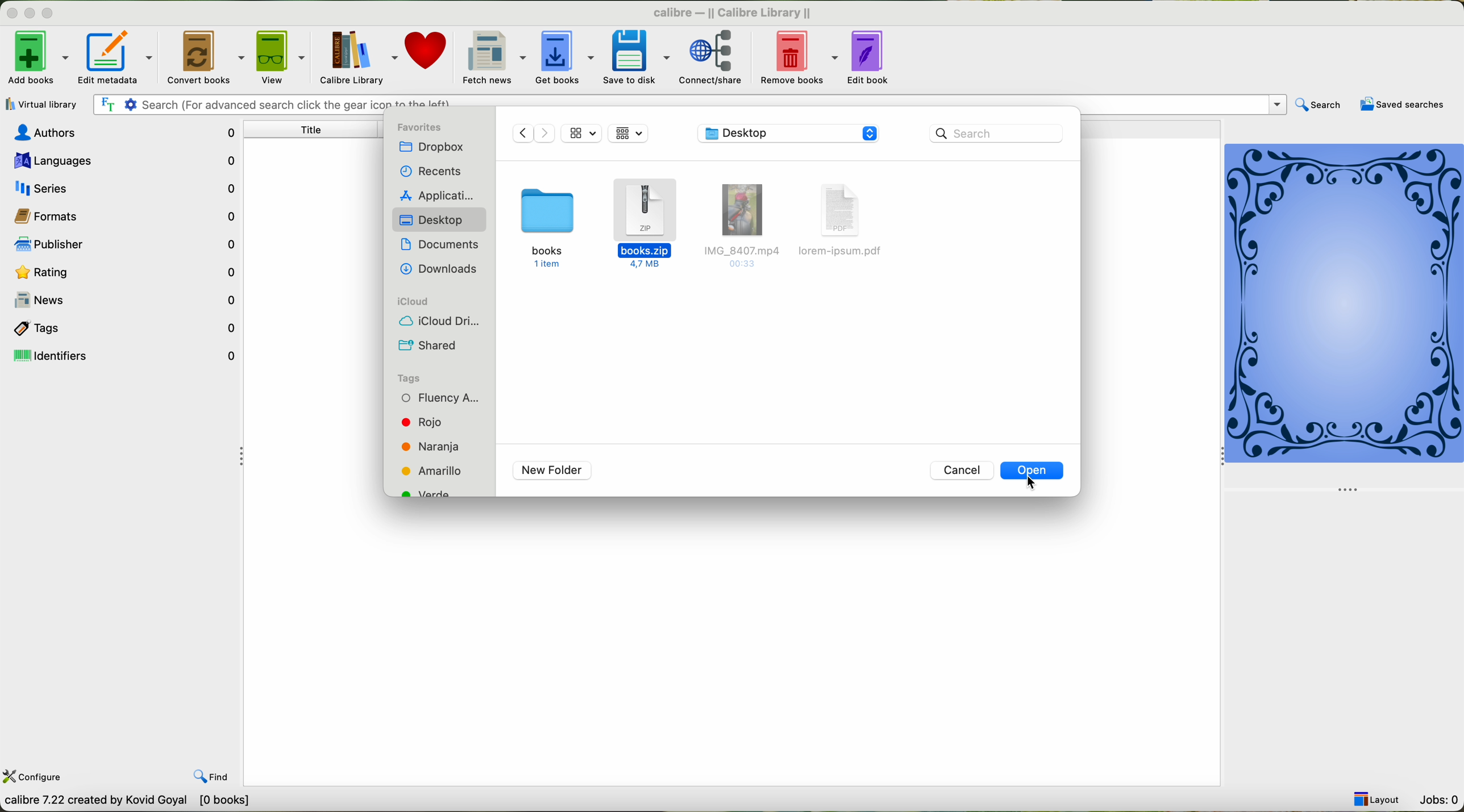 The width and height of the screenshot is (1464, 812). What do you see at coordinates (115, 56) in the screenshot?
I see `edit metadata` at bounding box center [115, 56].